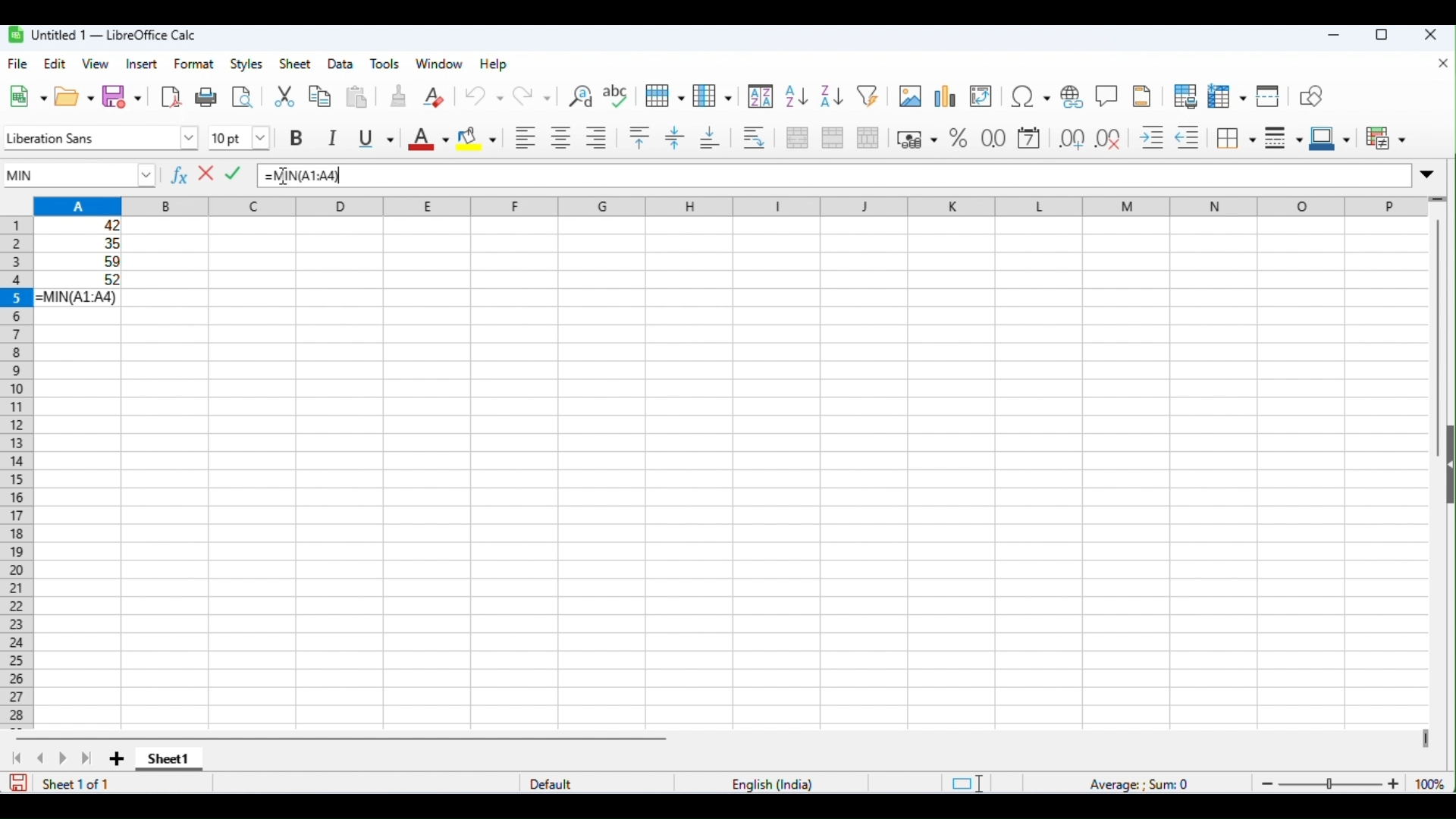 The width and height of the screenshot is (1456, 819). What do you see at coordinates (532, 96) in the screenshot?
I see `redo` at bounding box center [532, 96].